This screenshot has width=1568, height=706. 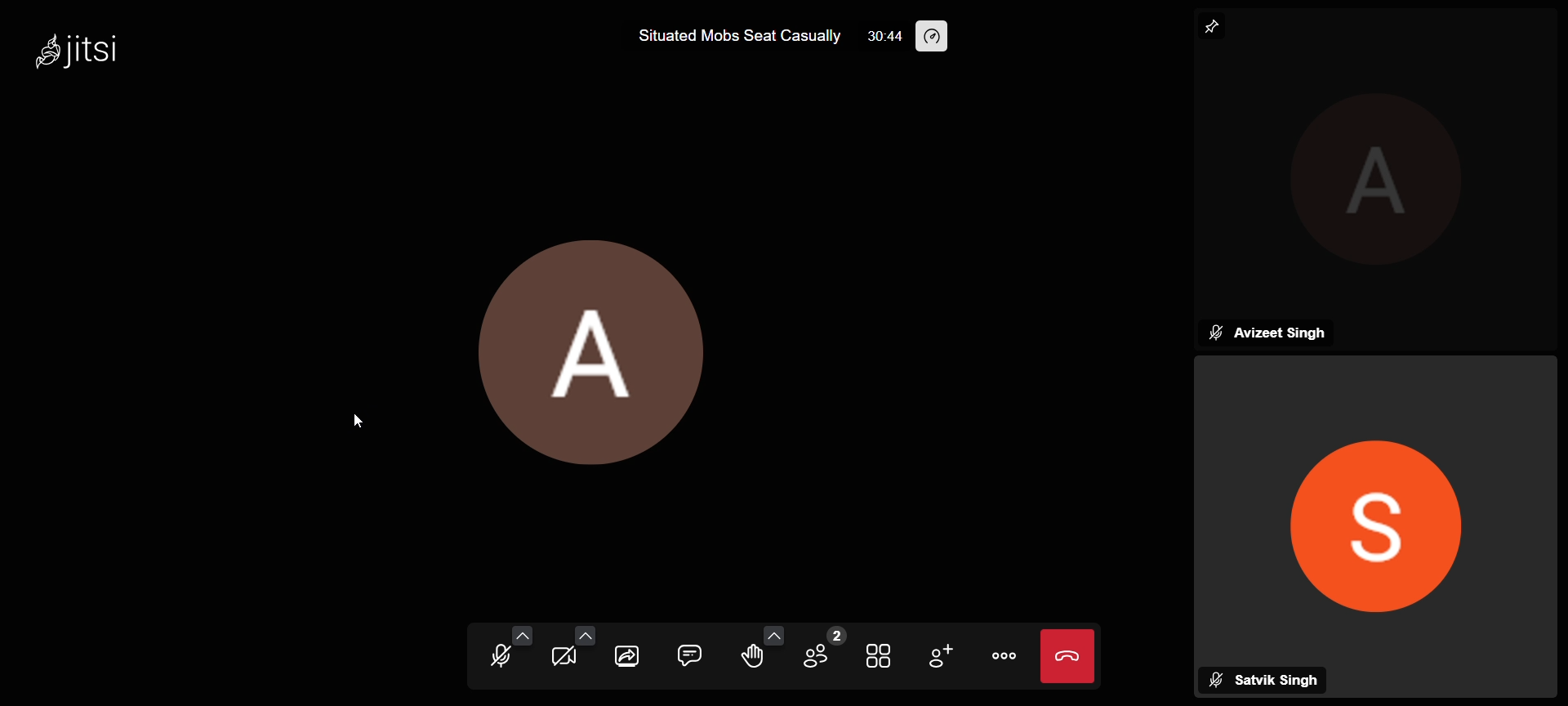 I want to click on start chat, so click(x=688, y=655).